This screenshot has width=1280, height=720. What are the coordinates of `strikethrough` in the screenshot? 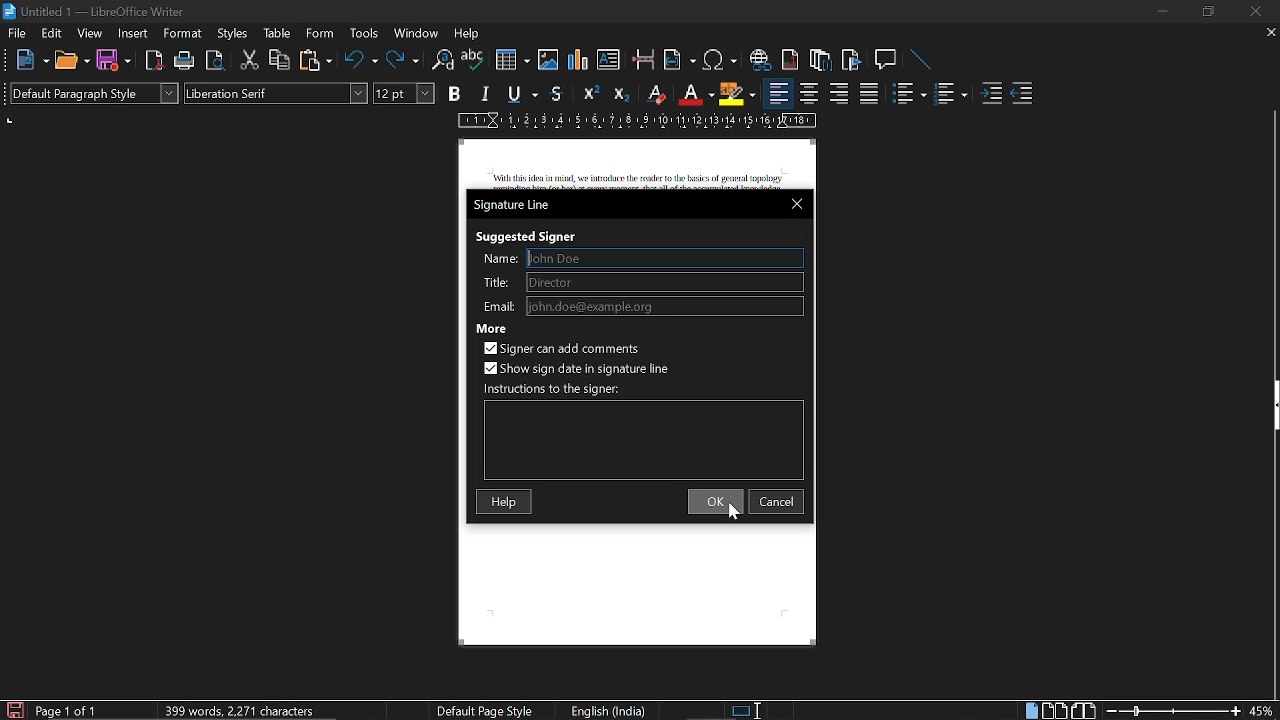 It's located at (557, 94).